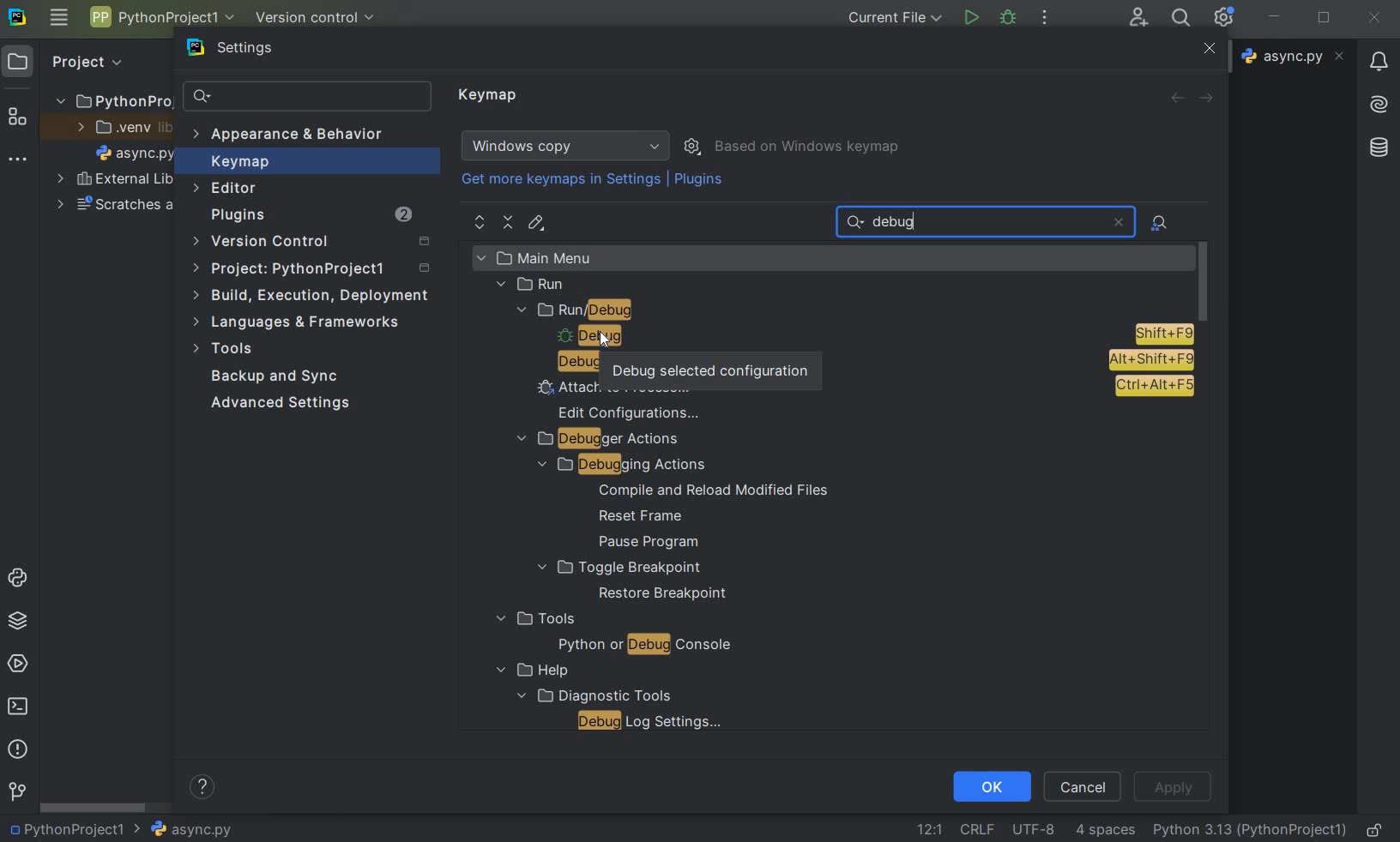  I want to click on help, so click(528, 671).